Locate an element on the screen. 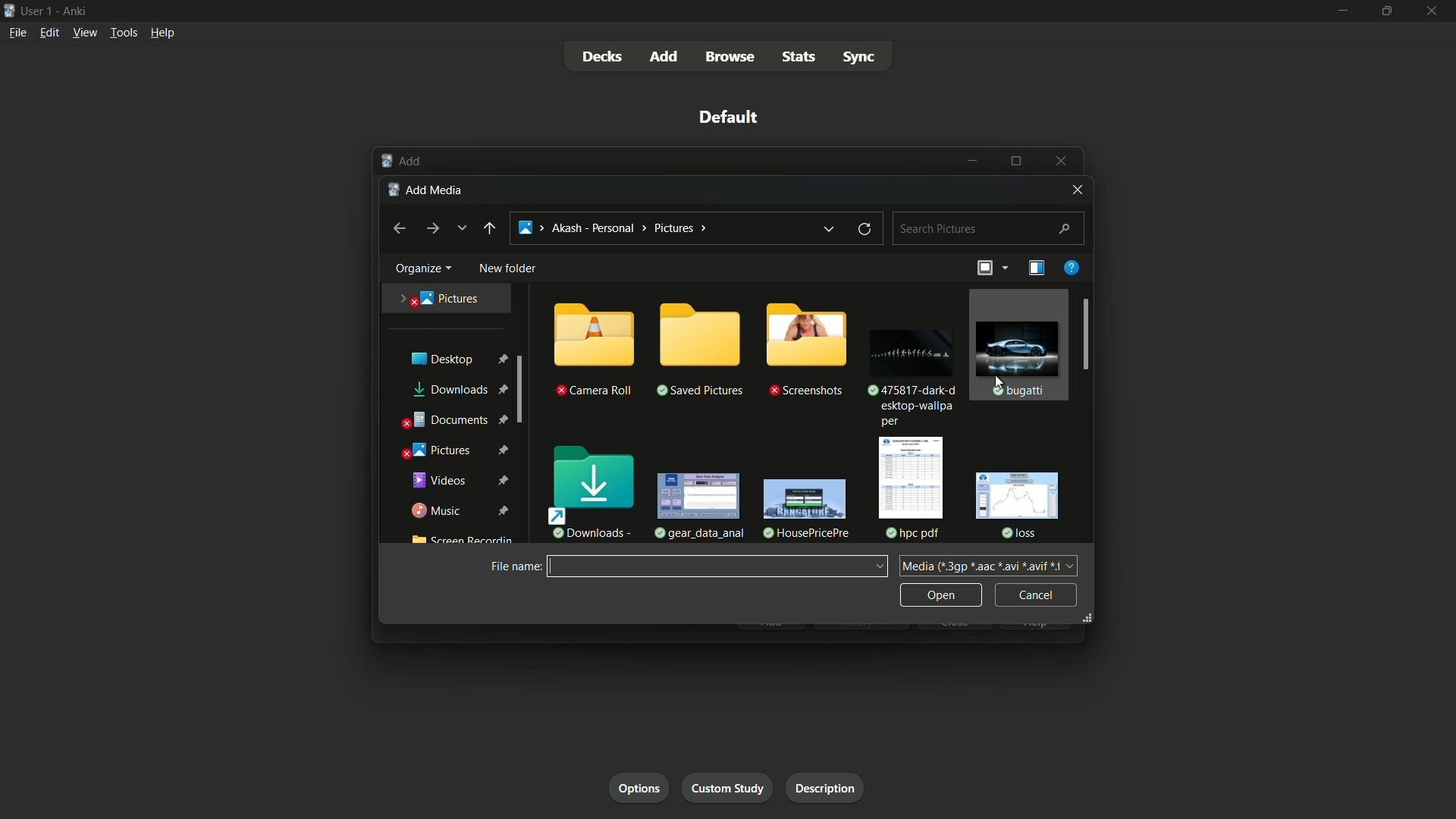  view menu is located at coordinates (84, 32).